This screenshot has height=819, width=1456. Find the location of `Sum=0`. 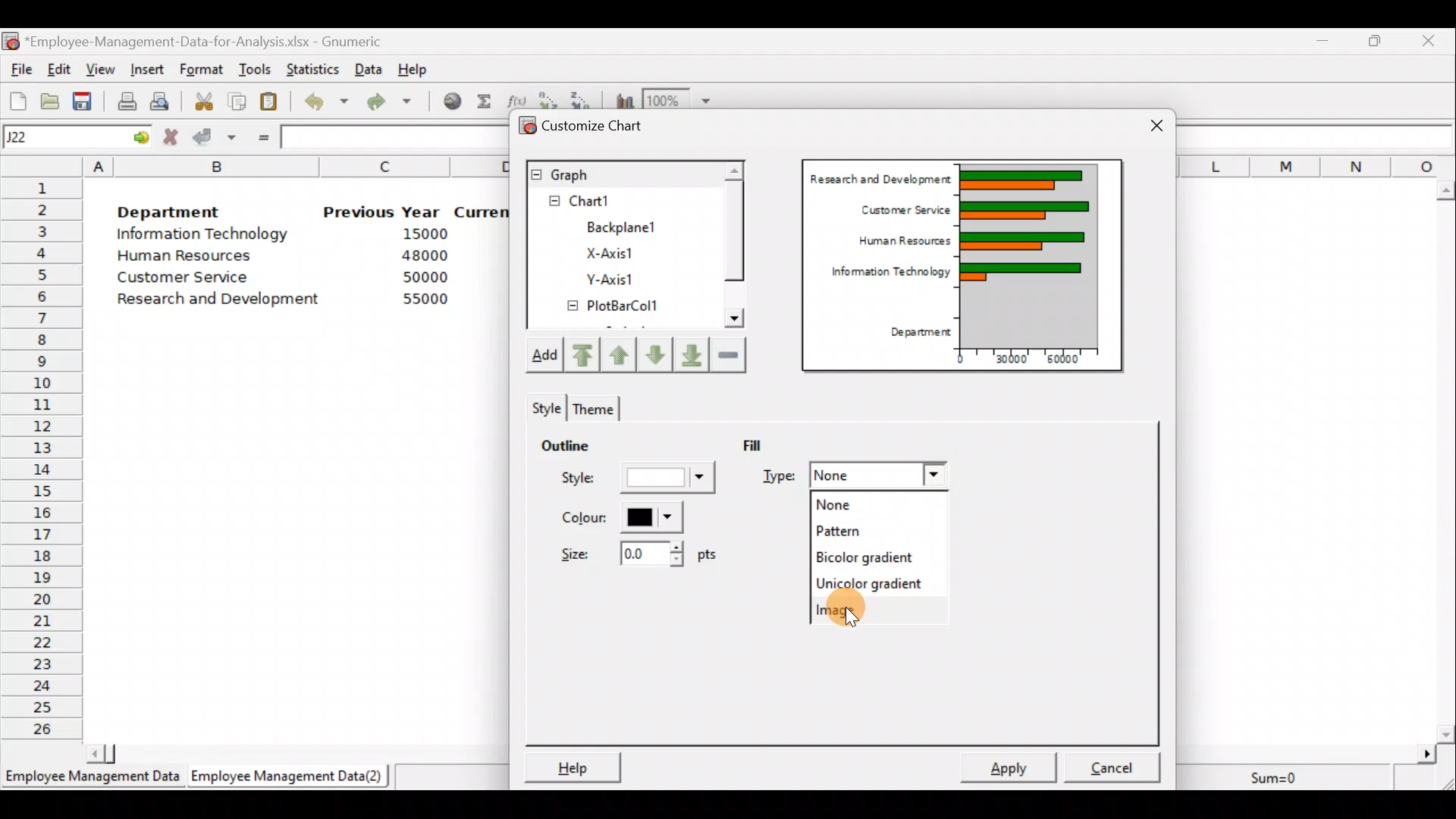

Sum=0 is located at coordinates (1279, 774).